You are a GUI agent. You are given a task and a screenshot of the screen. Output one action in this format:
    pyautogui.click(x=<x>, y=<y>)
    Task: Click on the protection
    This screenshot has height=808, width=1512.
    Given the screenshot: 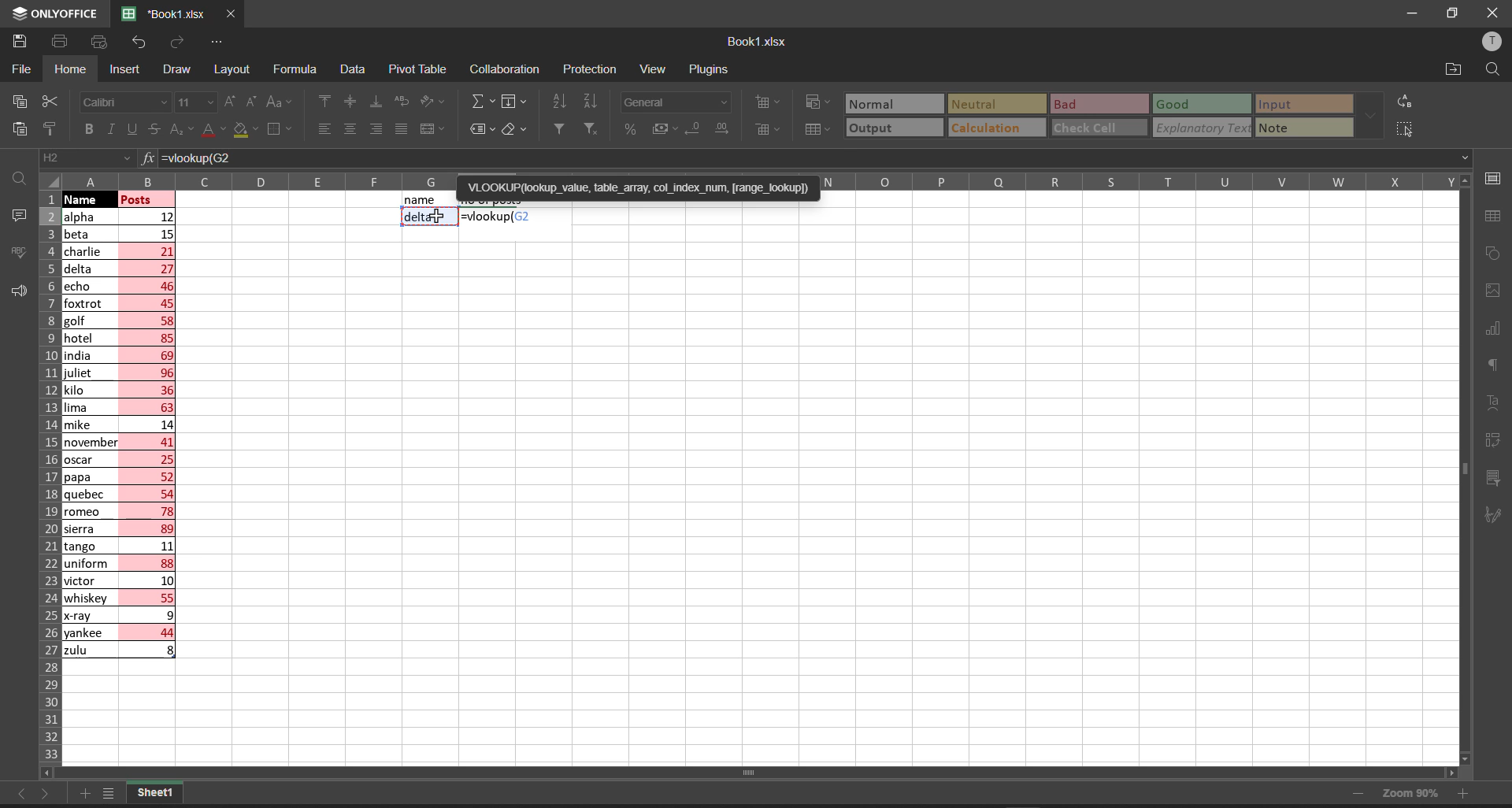 What is the action you would take?
    pyautogui.click(x=594, y=69)
    